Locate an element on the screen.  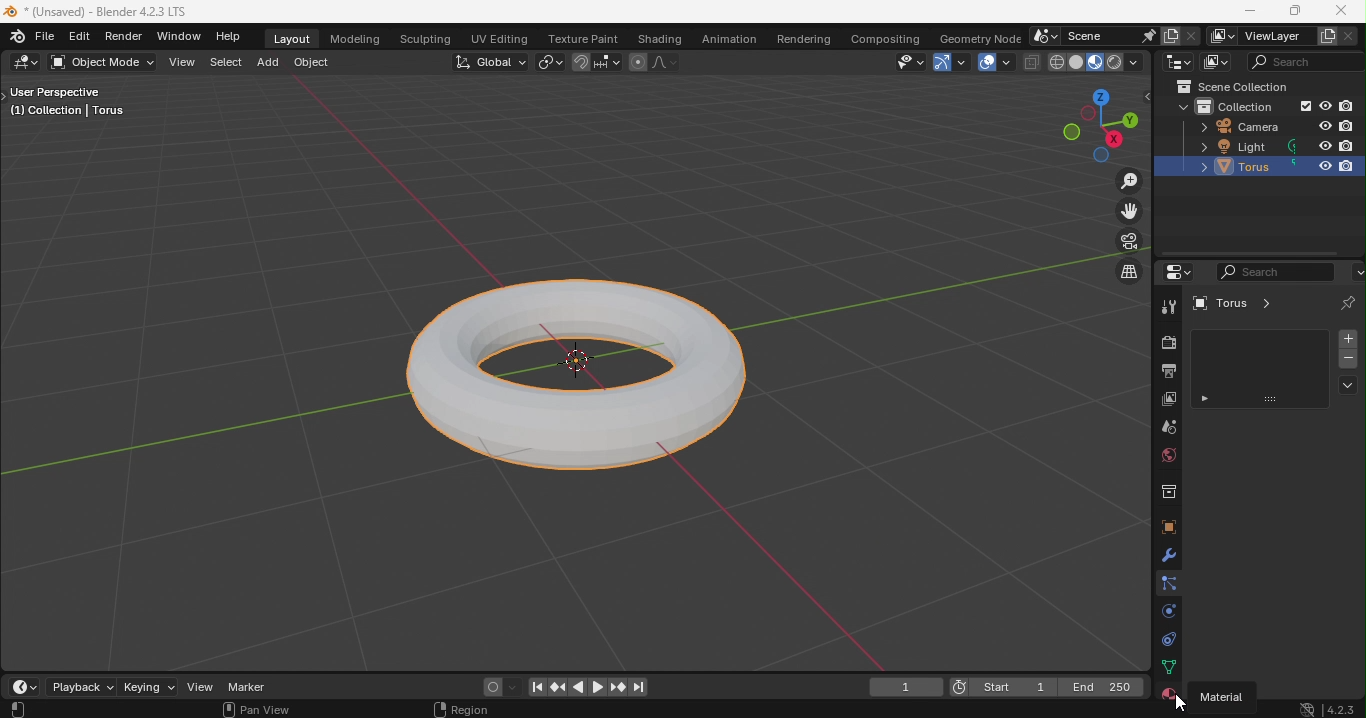
Display filter is located at coordinates (1274, 272).